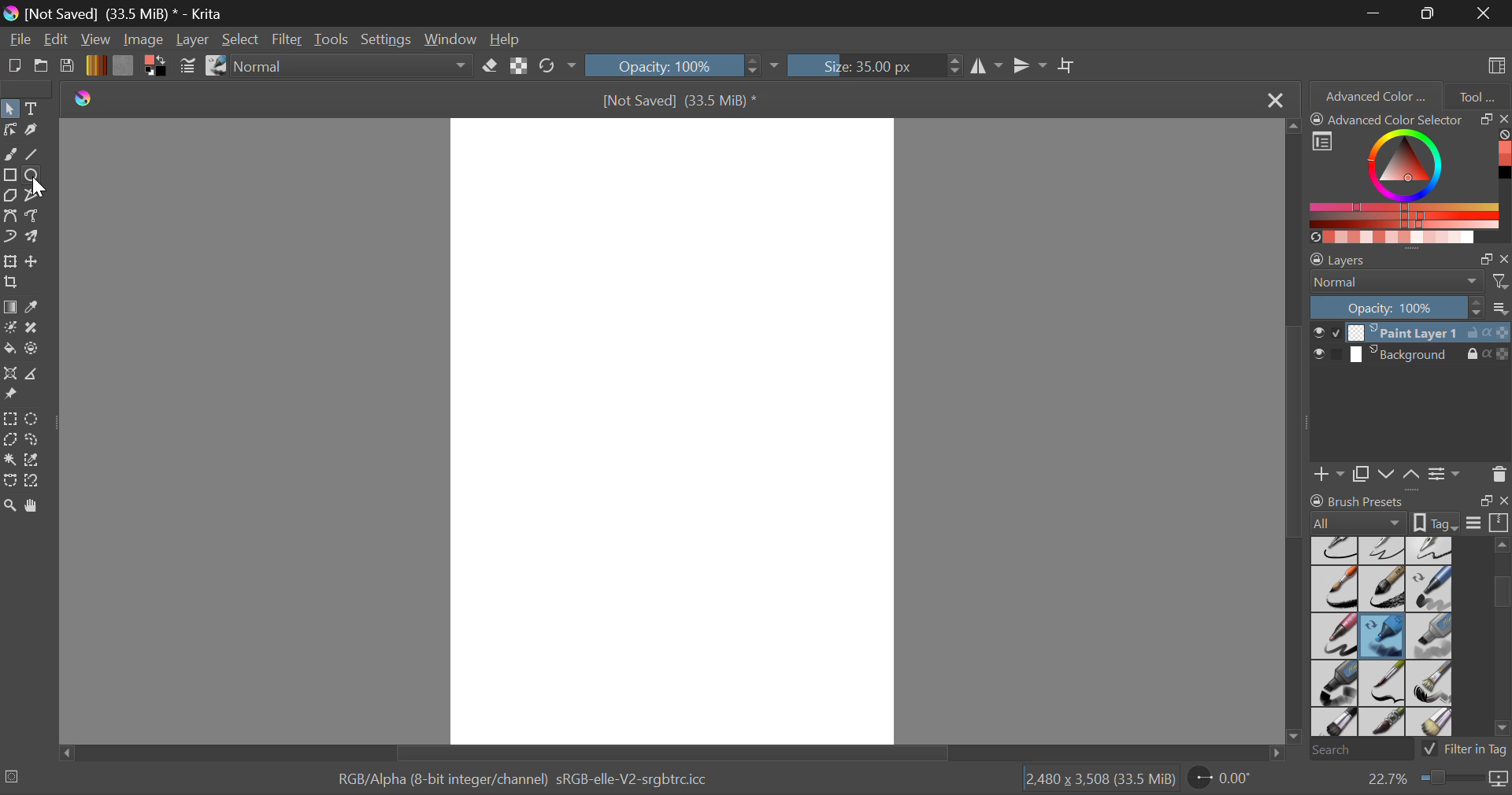 This screenshot has width=1512, height=795. What do you see at coordinates (518, 66) in the screenshot?
I see `Preserve Alpha` at bounding box center [518, 66].